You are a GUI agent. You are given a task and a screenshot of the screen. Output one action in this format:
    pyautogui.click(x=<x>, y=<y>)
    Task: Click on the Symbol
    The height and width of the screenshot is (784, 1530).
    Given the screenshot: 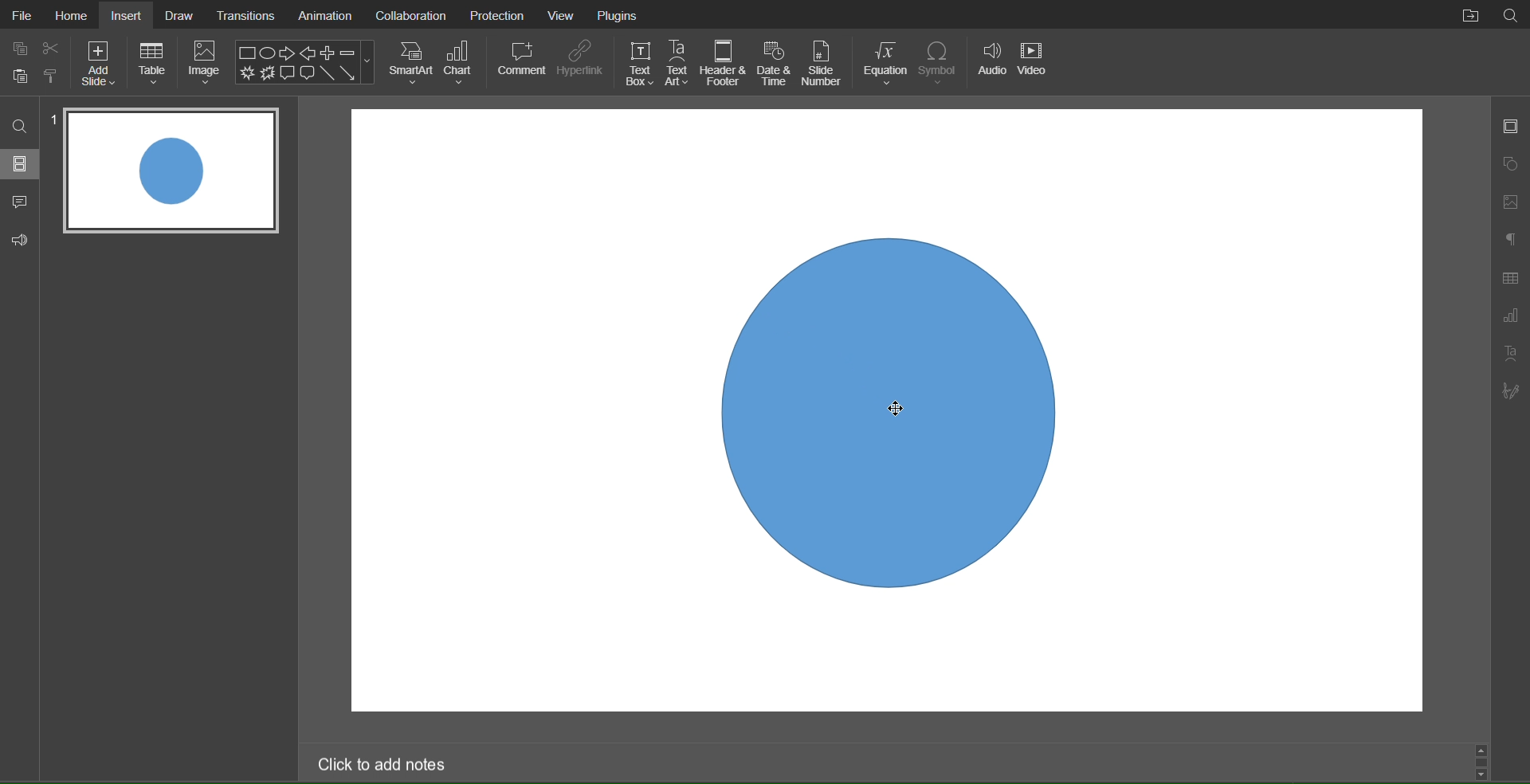 What is the action you would take?
    pyautogui.click(x=942, y=64)
    